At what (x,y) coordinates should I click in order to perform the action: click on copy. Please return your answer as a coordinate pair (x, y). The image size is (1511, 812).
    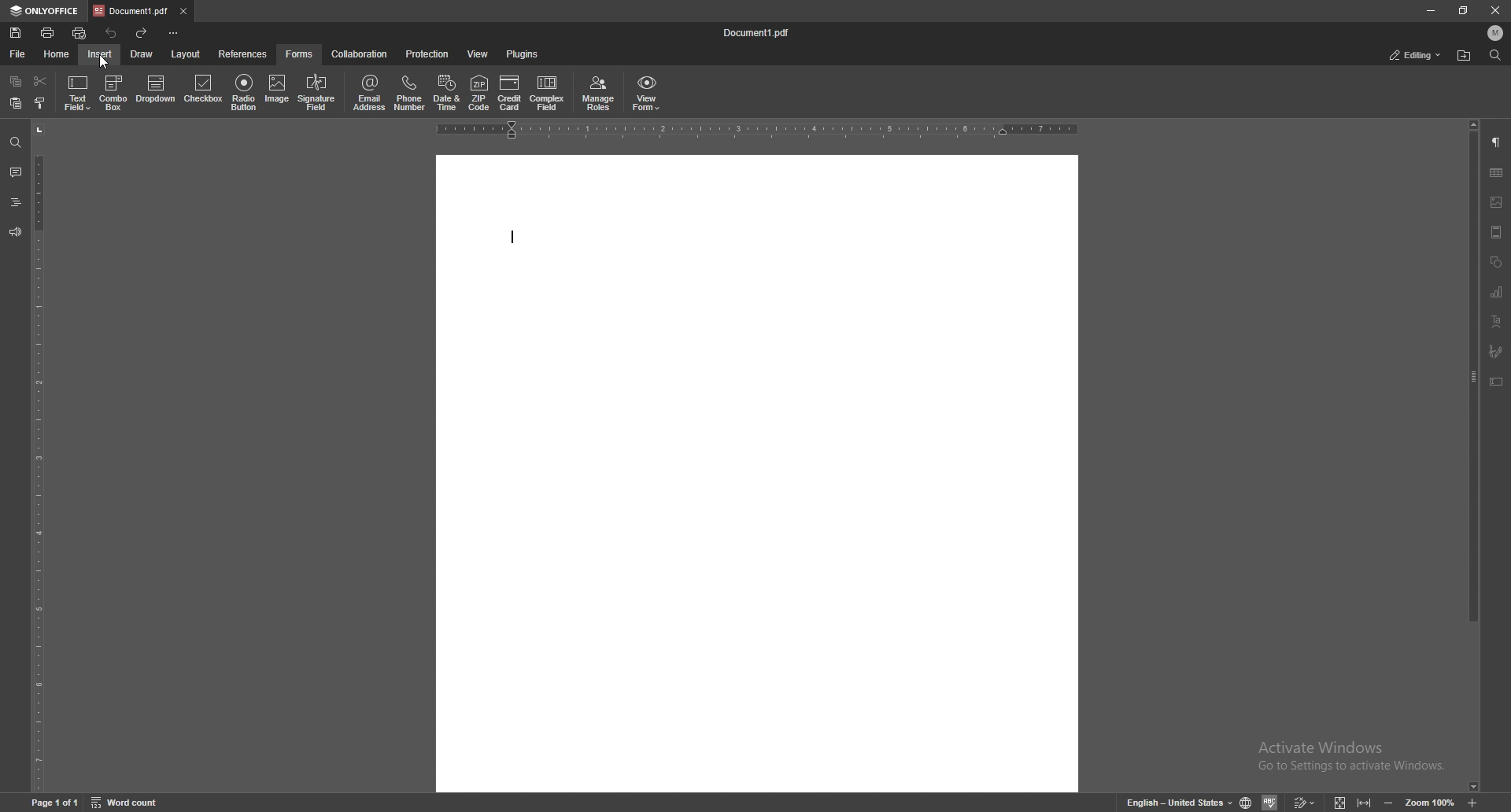
    Looking at the image, I should click on (17, 80).